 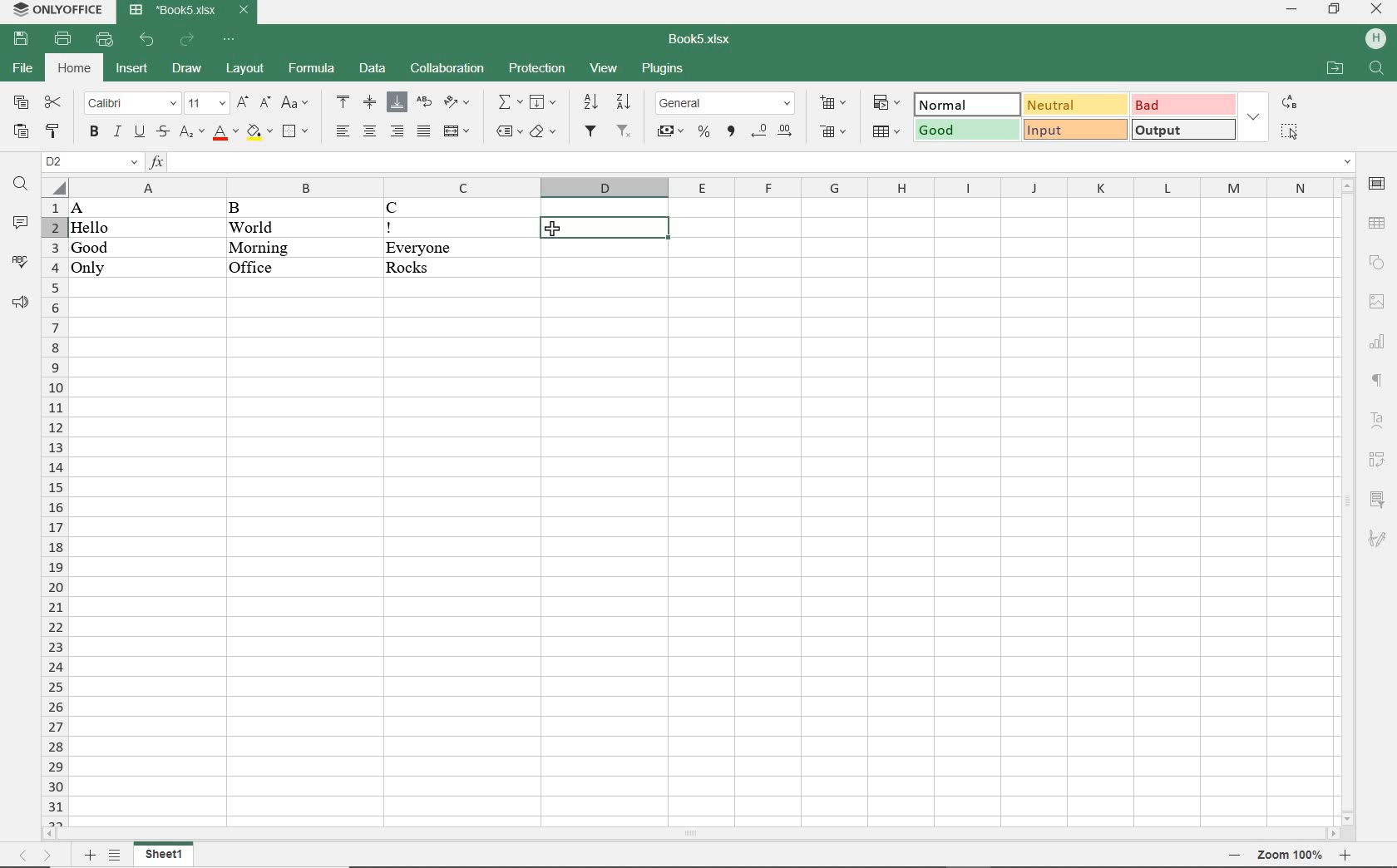 What do you see at coordinates (460, 269) in the screenshot?
I see `Rocks` at bounding box center [460, 269].